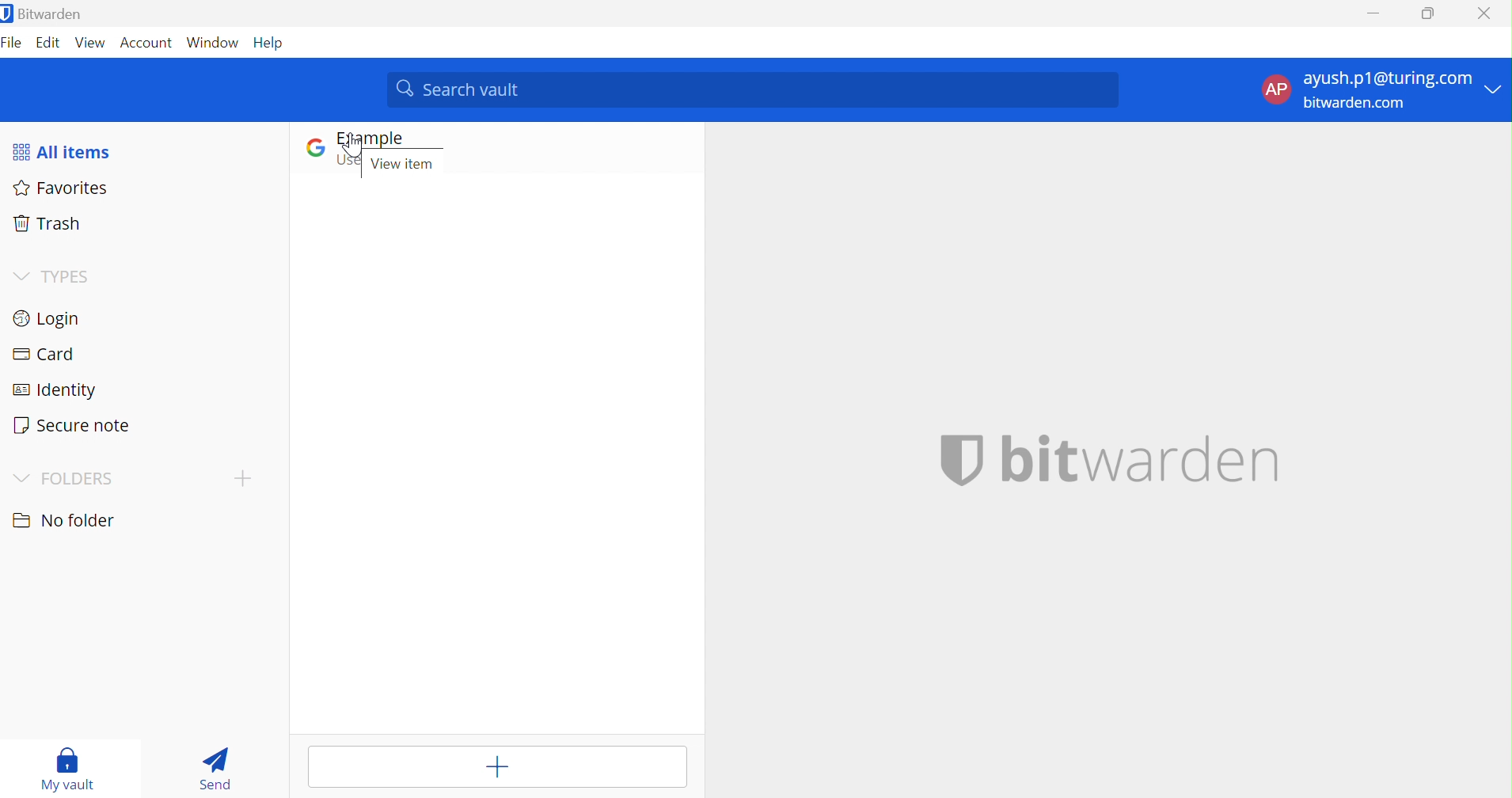 Image resolution: width=1512 pixels, height=798 pixels. Describe the element at coordinates (1142, 461) in the screenshot. I see `bitwarden ` at that location.